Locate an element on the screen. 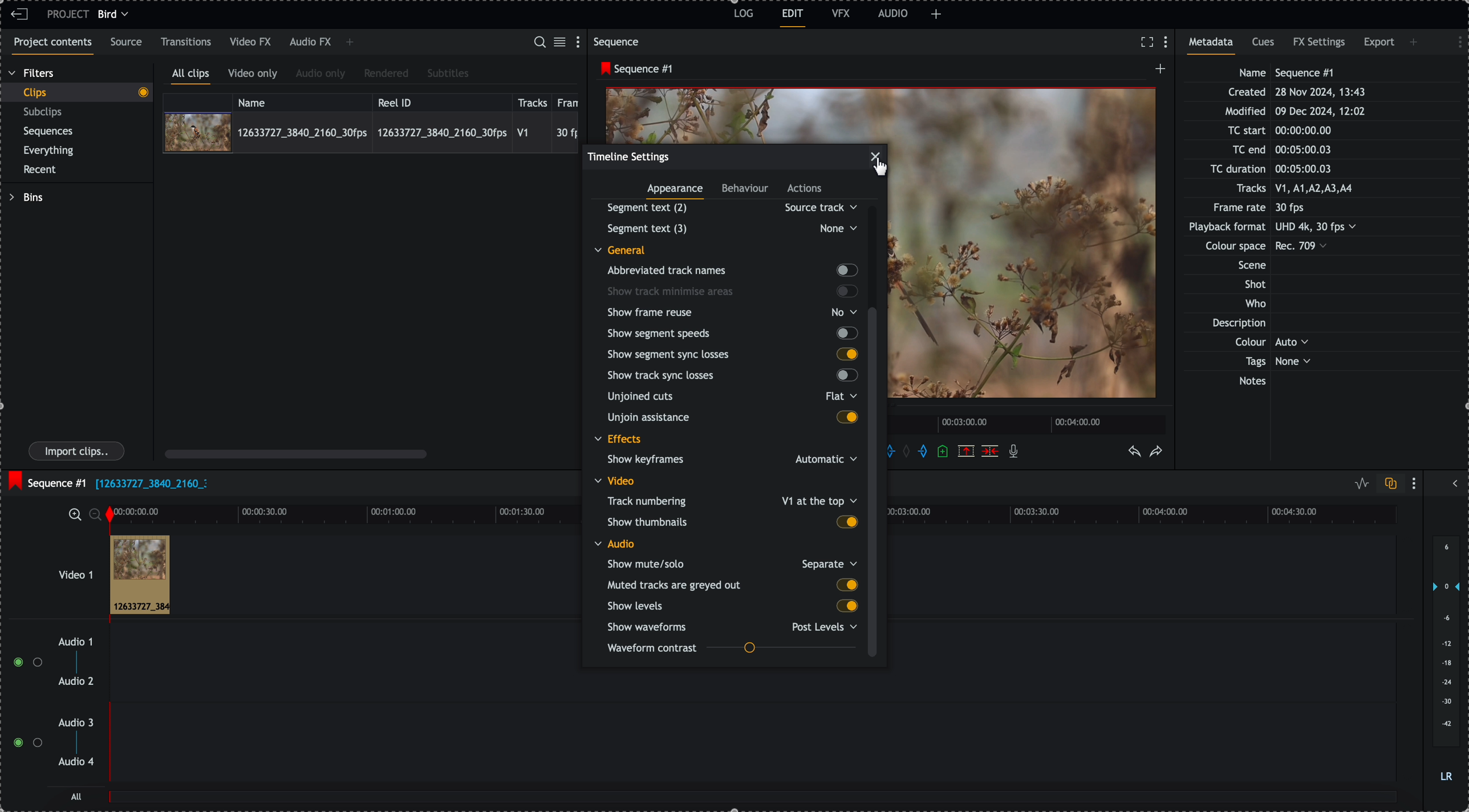 The width and height of the screenshot is (1469, 812). appearance is located at coordinates (677, 192).